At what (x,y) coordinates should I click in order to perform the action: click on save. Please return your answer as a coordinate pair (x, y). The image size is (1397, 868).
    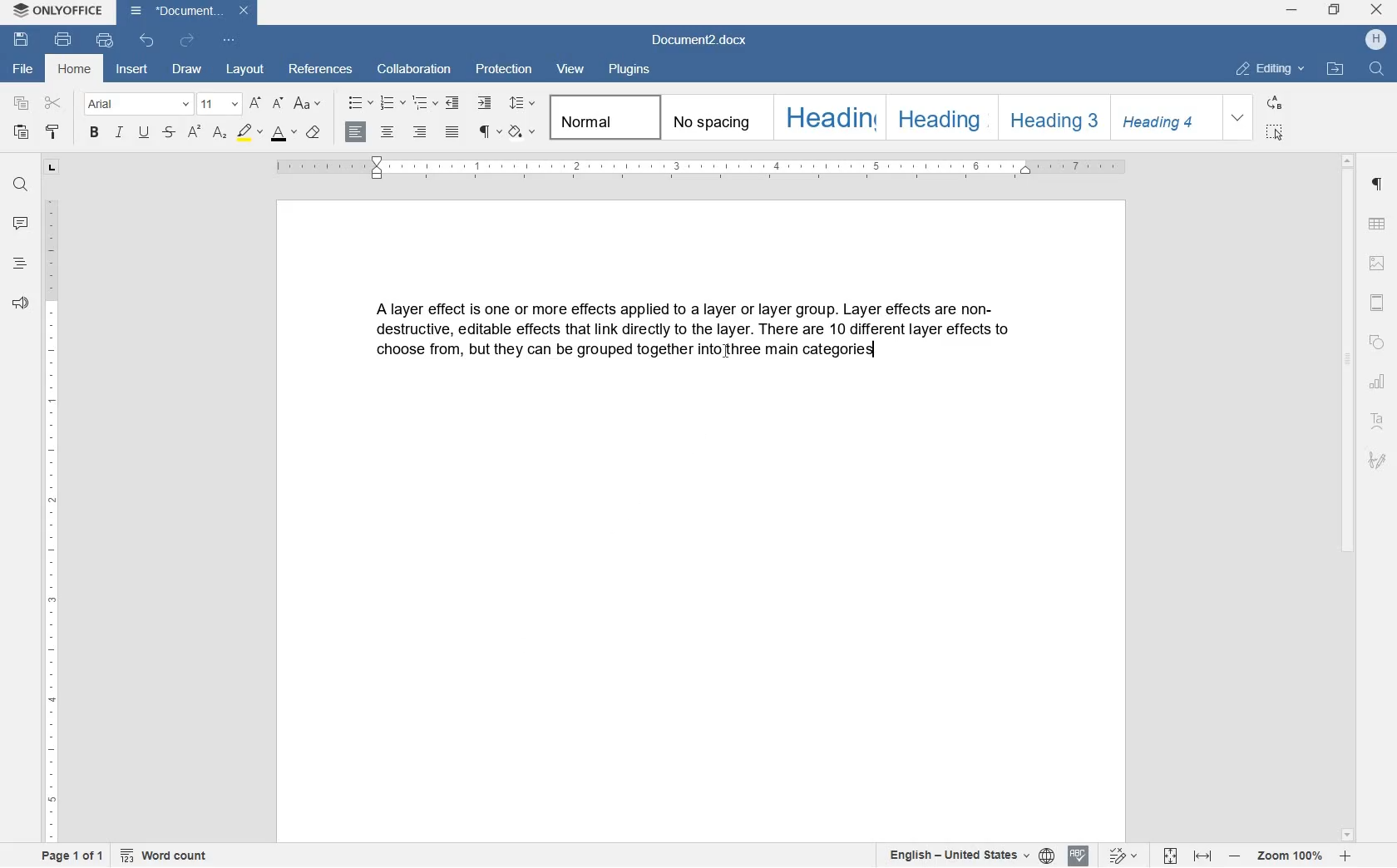
    Looking at the image, I should click on (20, 39).